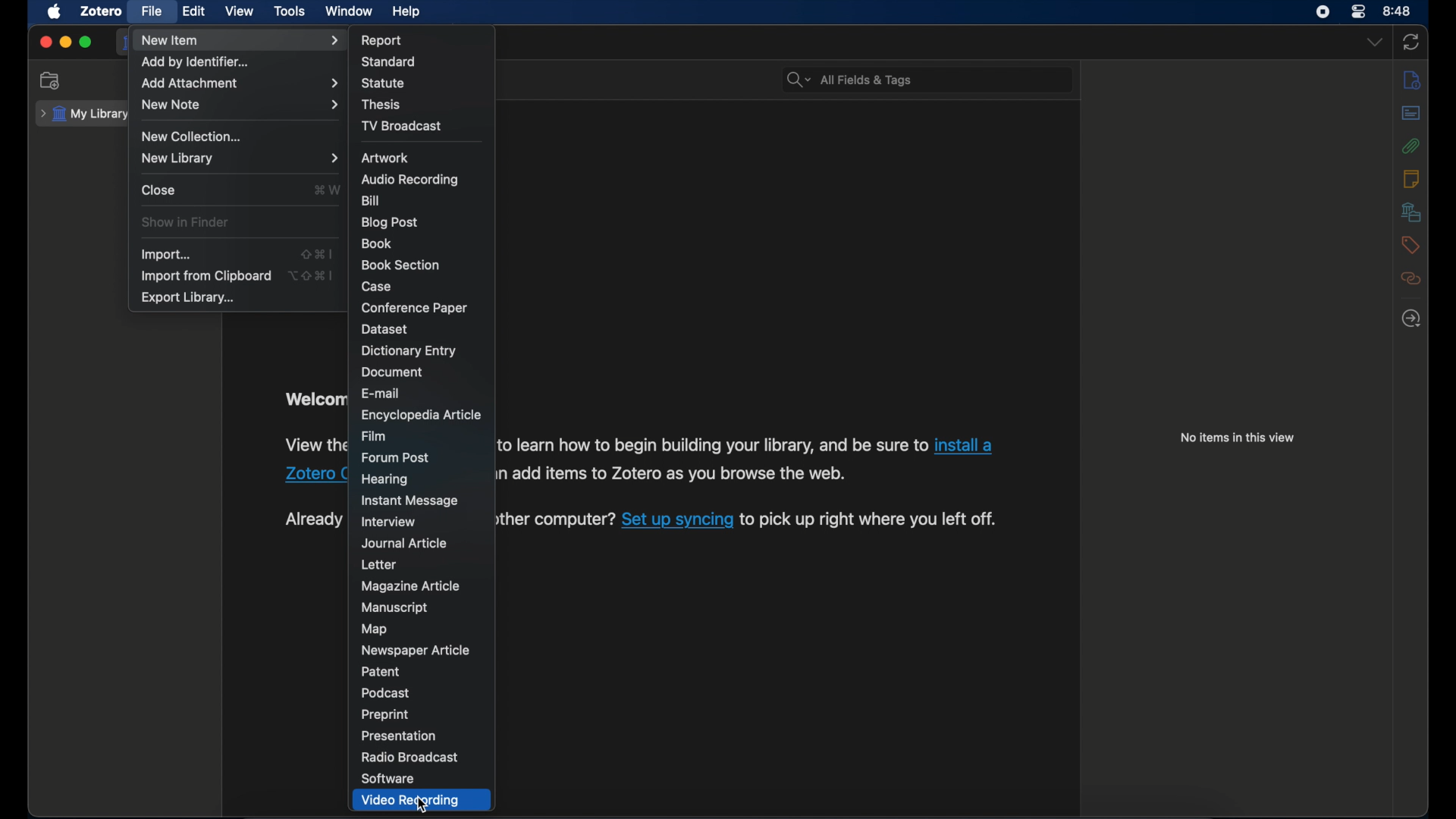 This screenshot has height=819, width=1456. What do you see at coordinates (237, 159) in the screenshot?
I see `new library ` at bounding box center [237, 159].